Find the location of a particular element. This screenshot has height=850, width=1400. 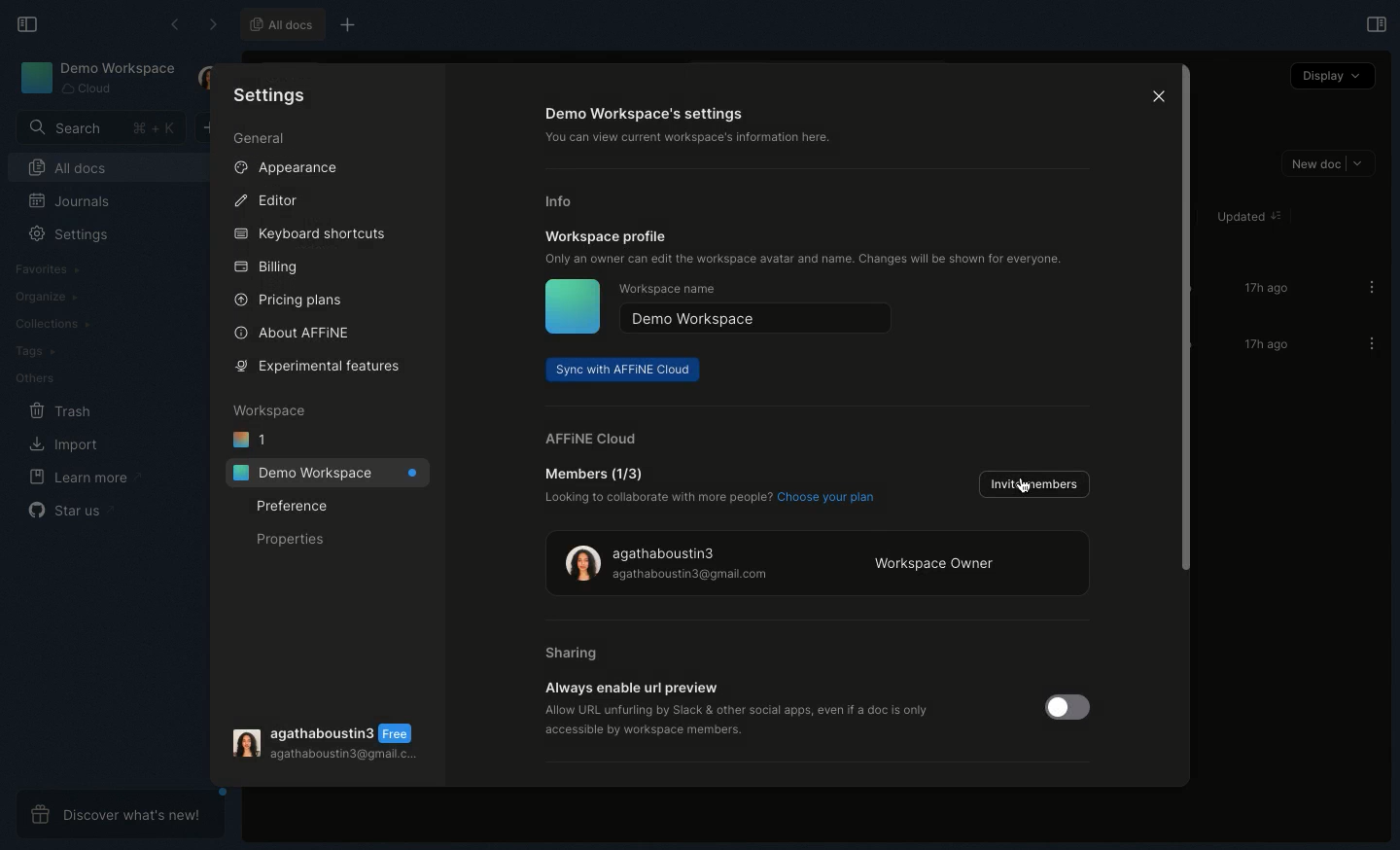

Options is located at coordinates (1366, 343).